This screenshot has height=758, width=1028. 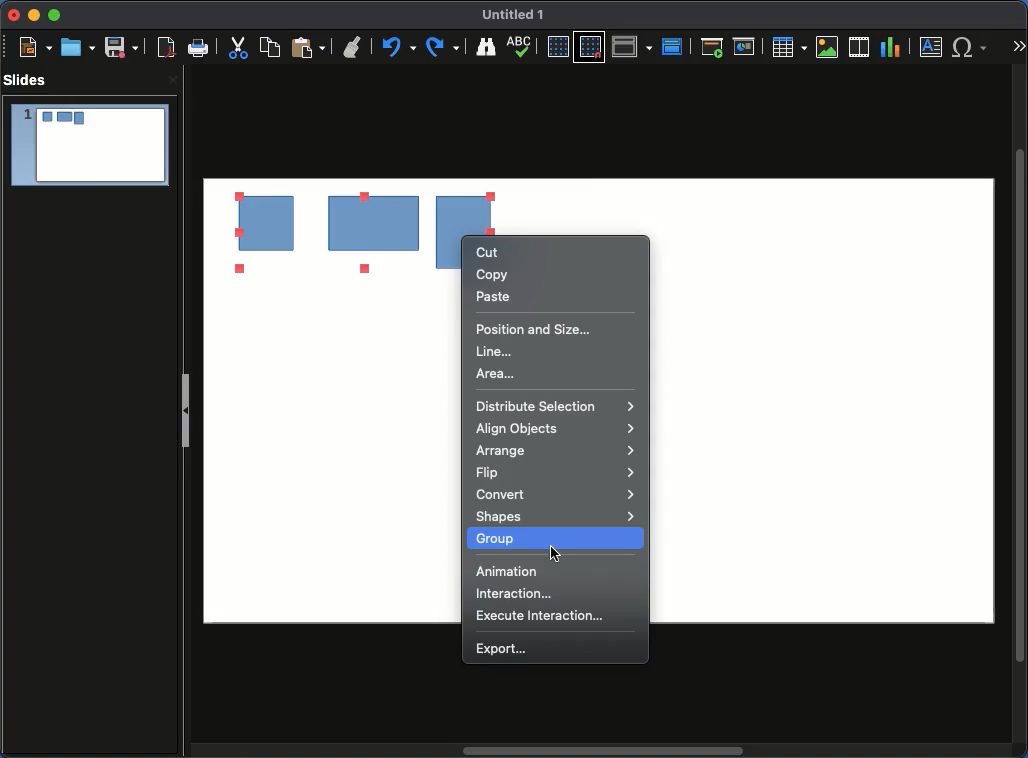 What do you see at coordinates (932, 47) in the screenshot?
I see `Text box` at bounding box center [932, 47].